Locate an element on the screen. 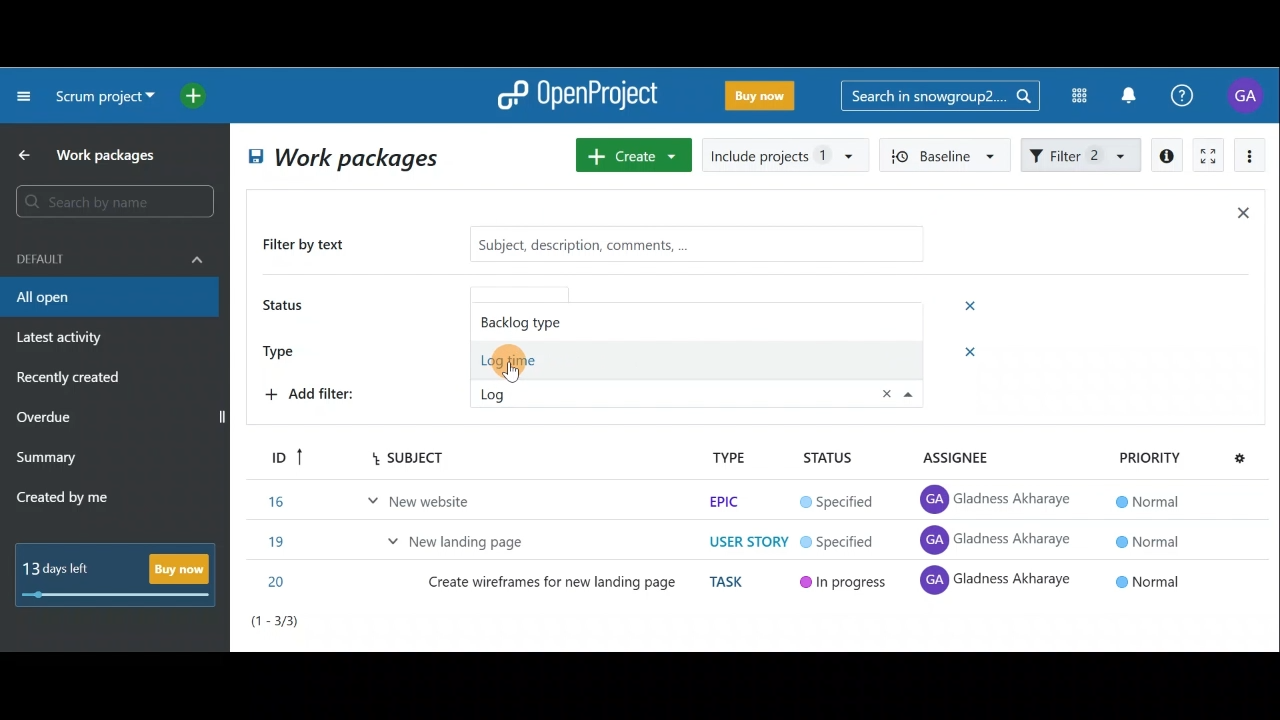 The width and height of the screenshot is (1280, 720). ASSIGNEE is located at coordinates (968, 458).